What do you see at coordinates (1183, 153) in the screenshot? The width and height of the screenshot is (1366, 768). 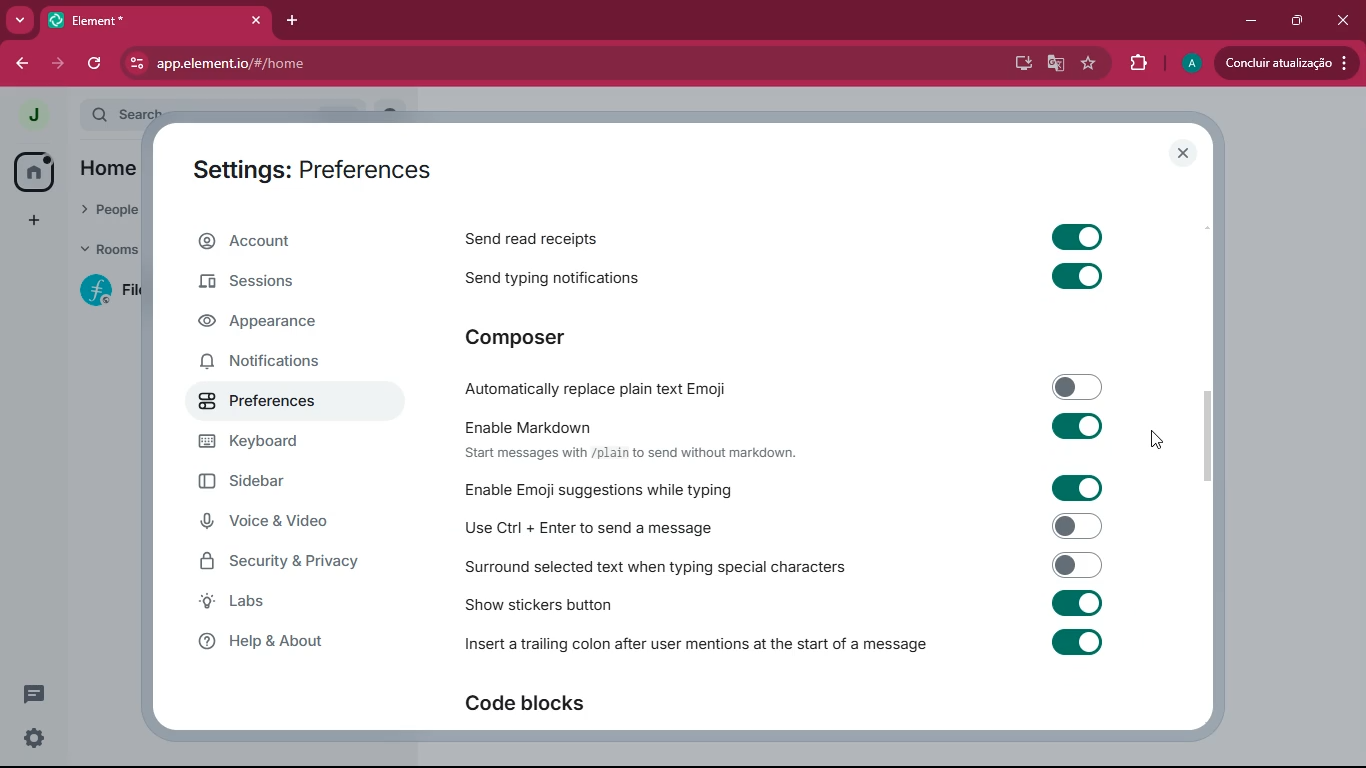 I see `close` at bounding box center [1183, 153].